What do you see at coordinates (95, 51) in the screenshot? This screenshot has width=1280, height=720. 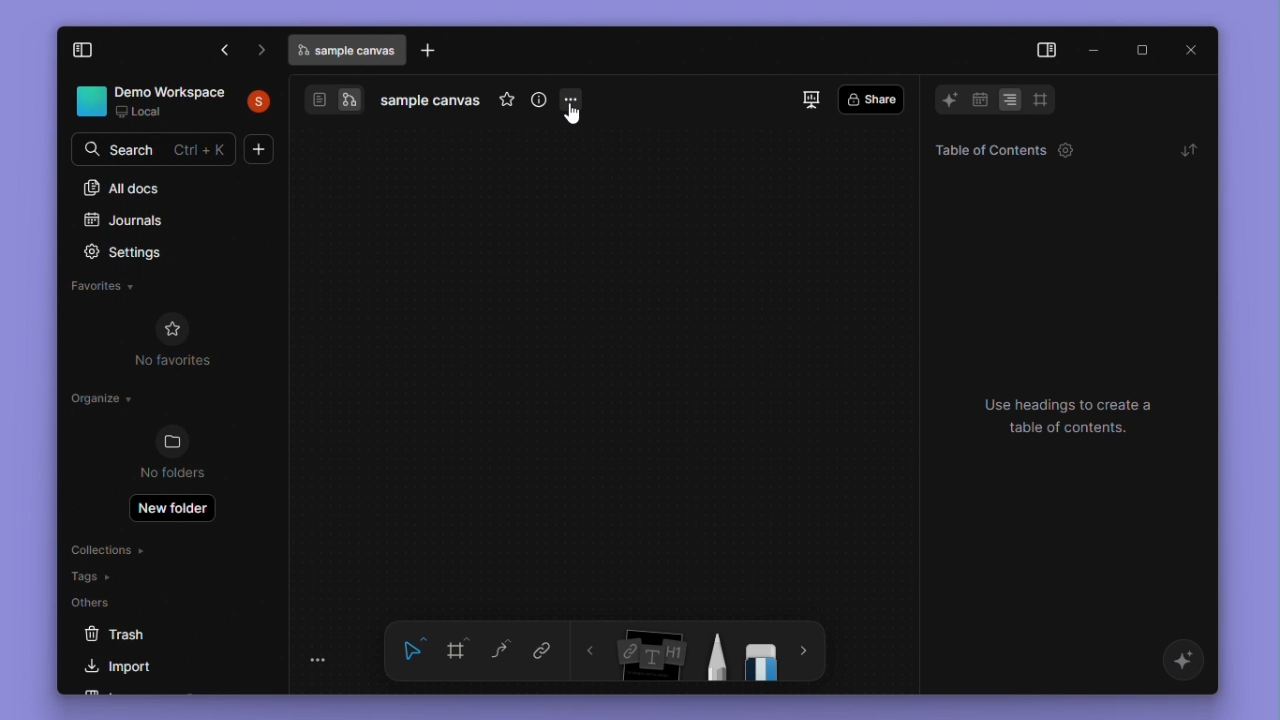 I see `collapse side pane` at bounding box center [95, 51].